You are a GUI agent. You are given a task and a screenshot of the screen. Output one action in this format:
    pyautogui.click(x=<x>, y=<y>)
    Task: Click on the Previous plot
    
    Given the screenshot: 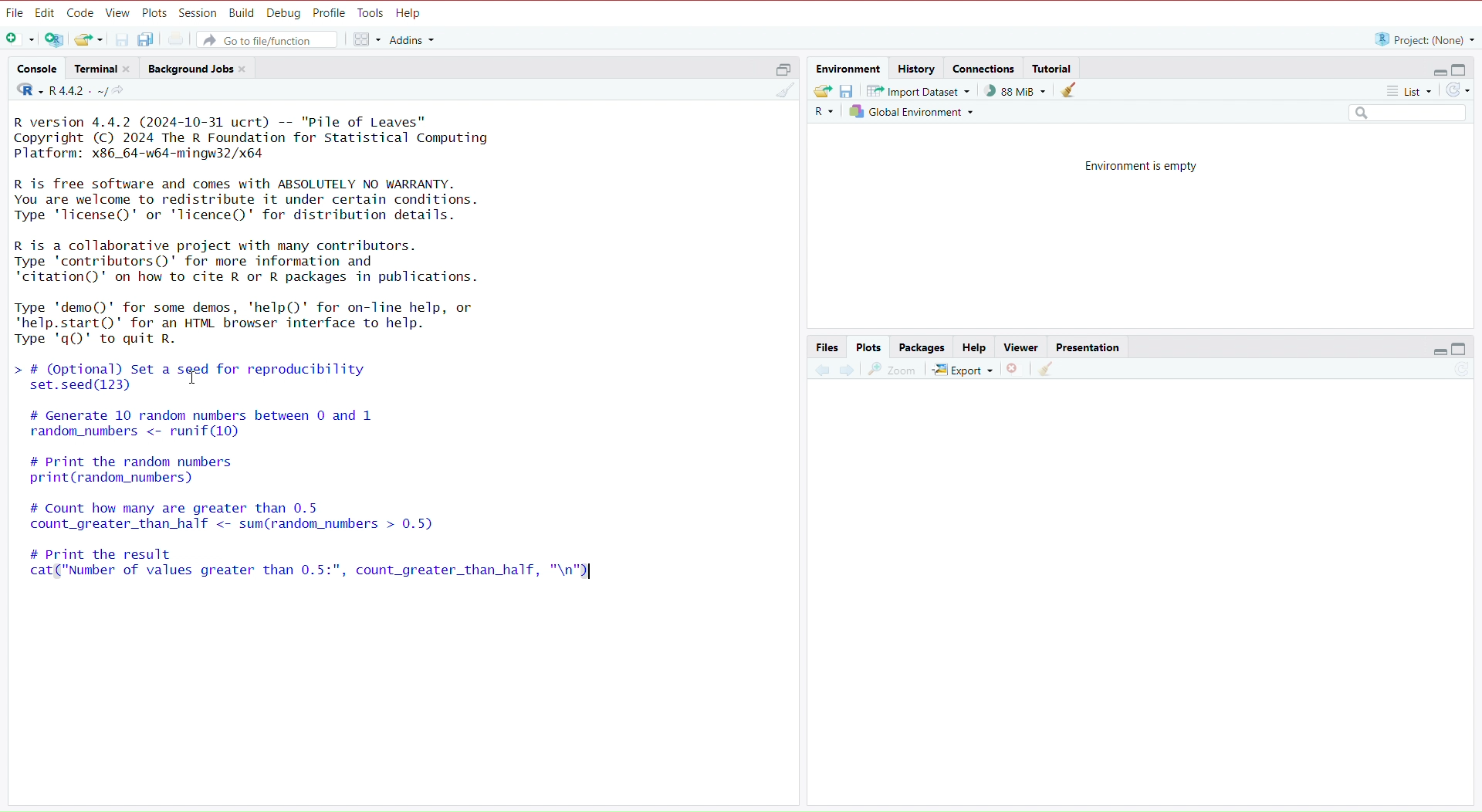 What is the action you would take?
    pyautogui.click(x=822, y=367)
    